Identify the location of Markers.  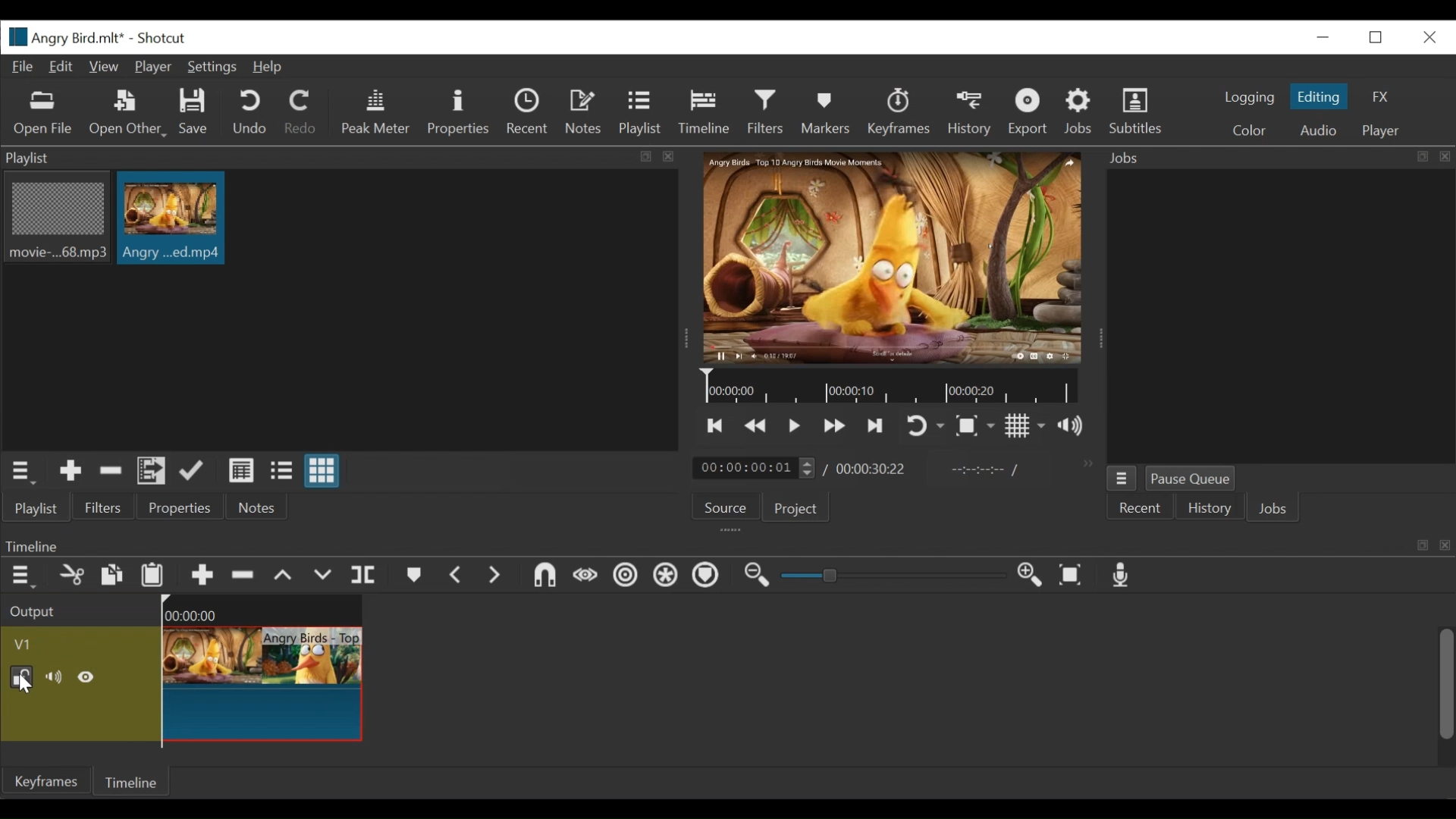
(823, 113).